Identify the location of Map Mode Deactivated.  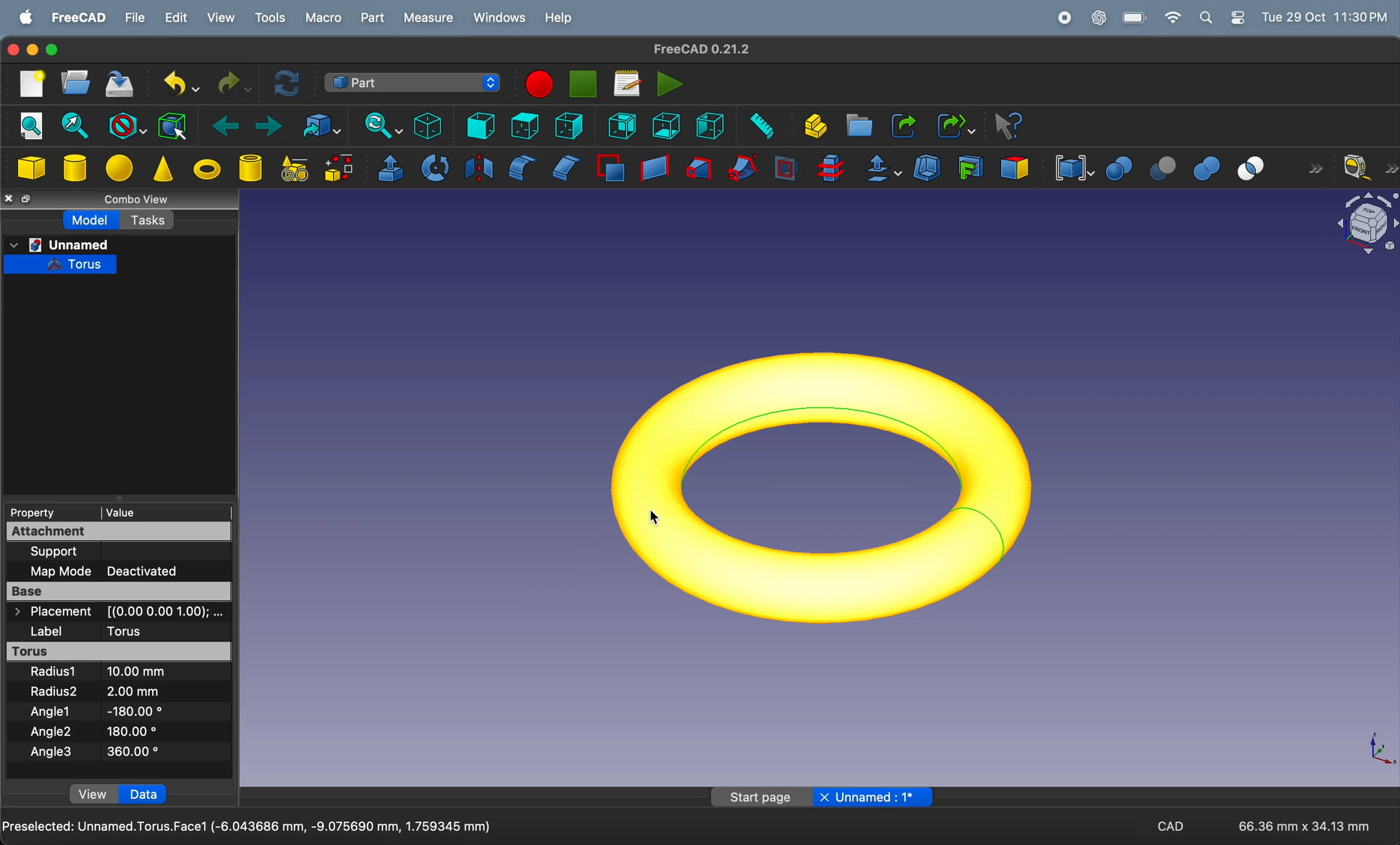
(105, 572).